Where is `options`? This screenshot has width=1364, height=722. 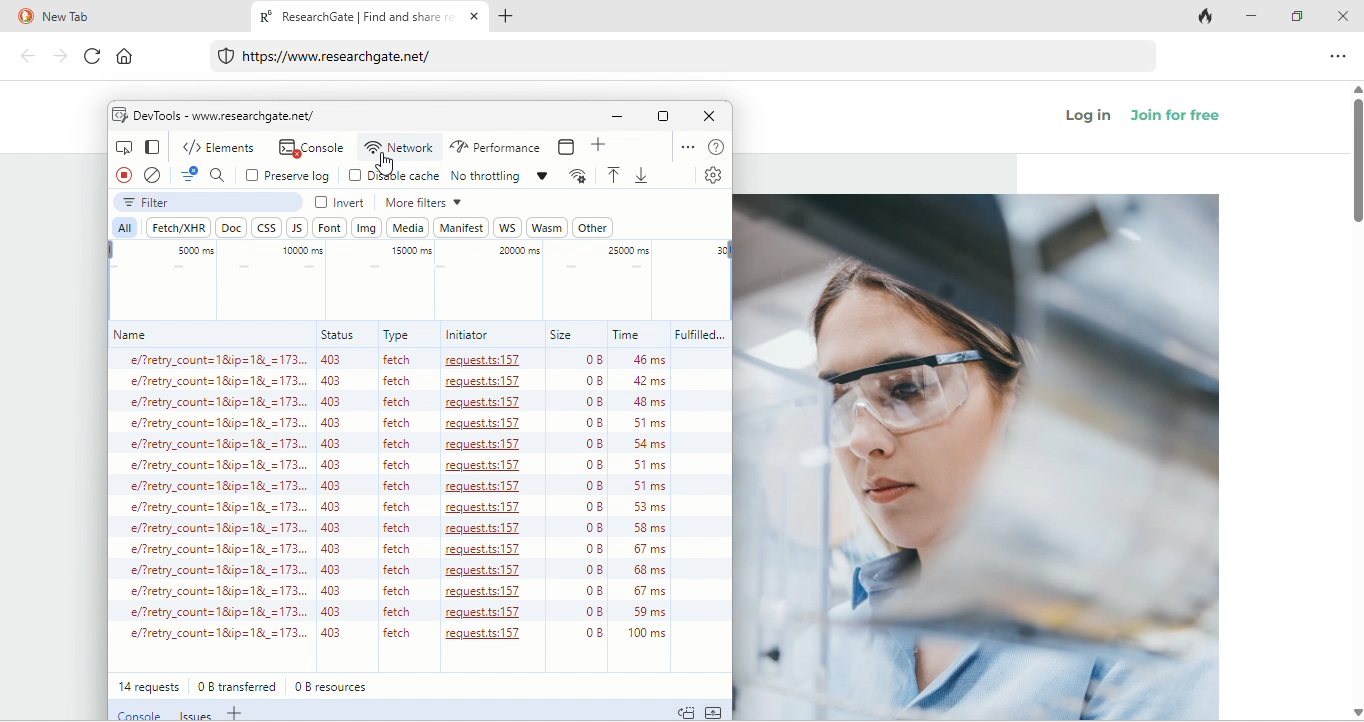
options is located at coordinates (684, 145).